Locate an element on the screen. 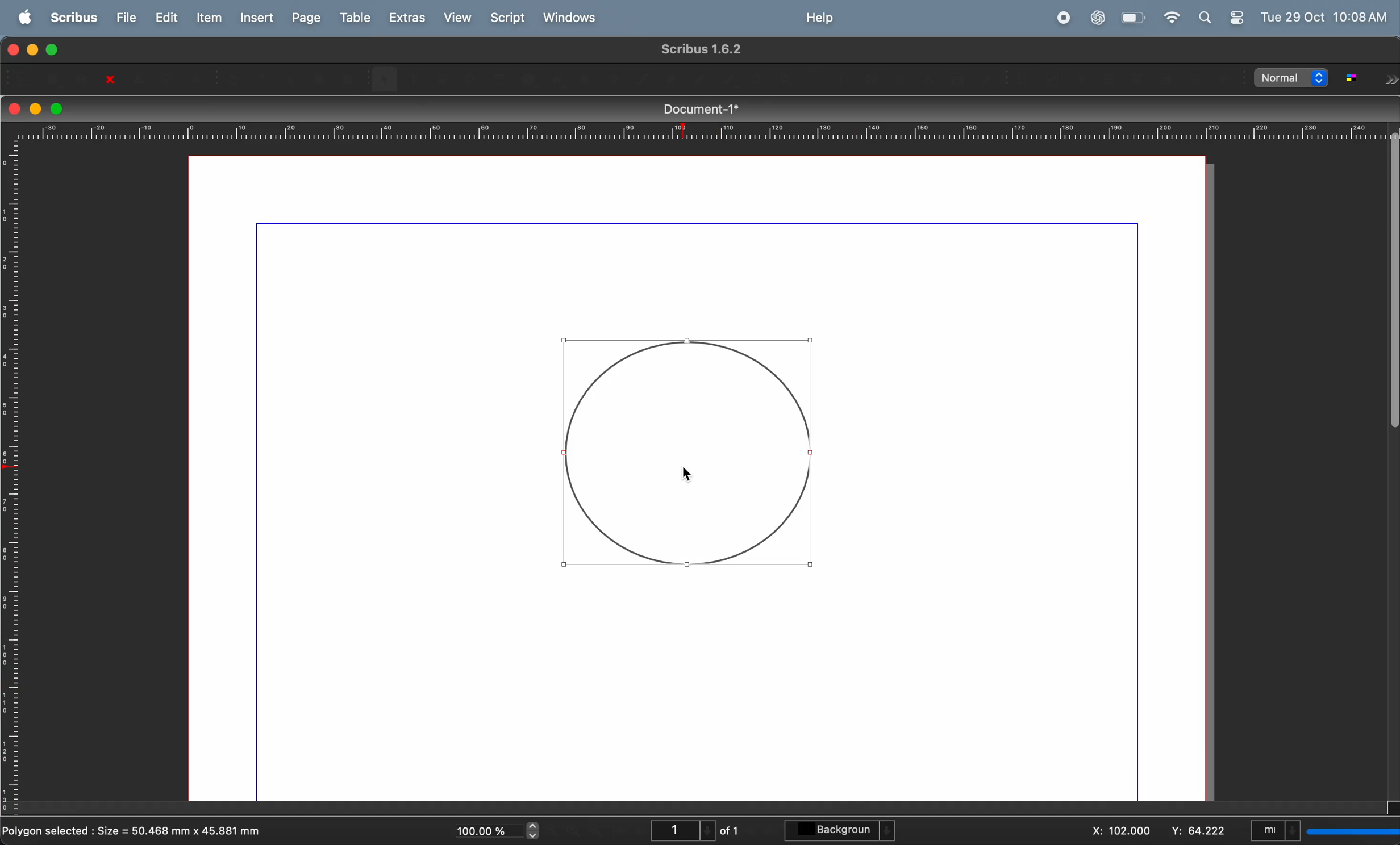 The height and width of the screenshot is (845, 1400). view is located at coordinates (458, 18).